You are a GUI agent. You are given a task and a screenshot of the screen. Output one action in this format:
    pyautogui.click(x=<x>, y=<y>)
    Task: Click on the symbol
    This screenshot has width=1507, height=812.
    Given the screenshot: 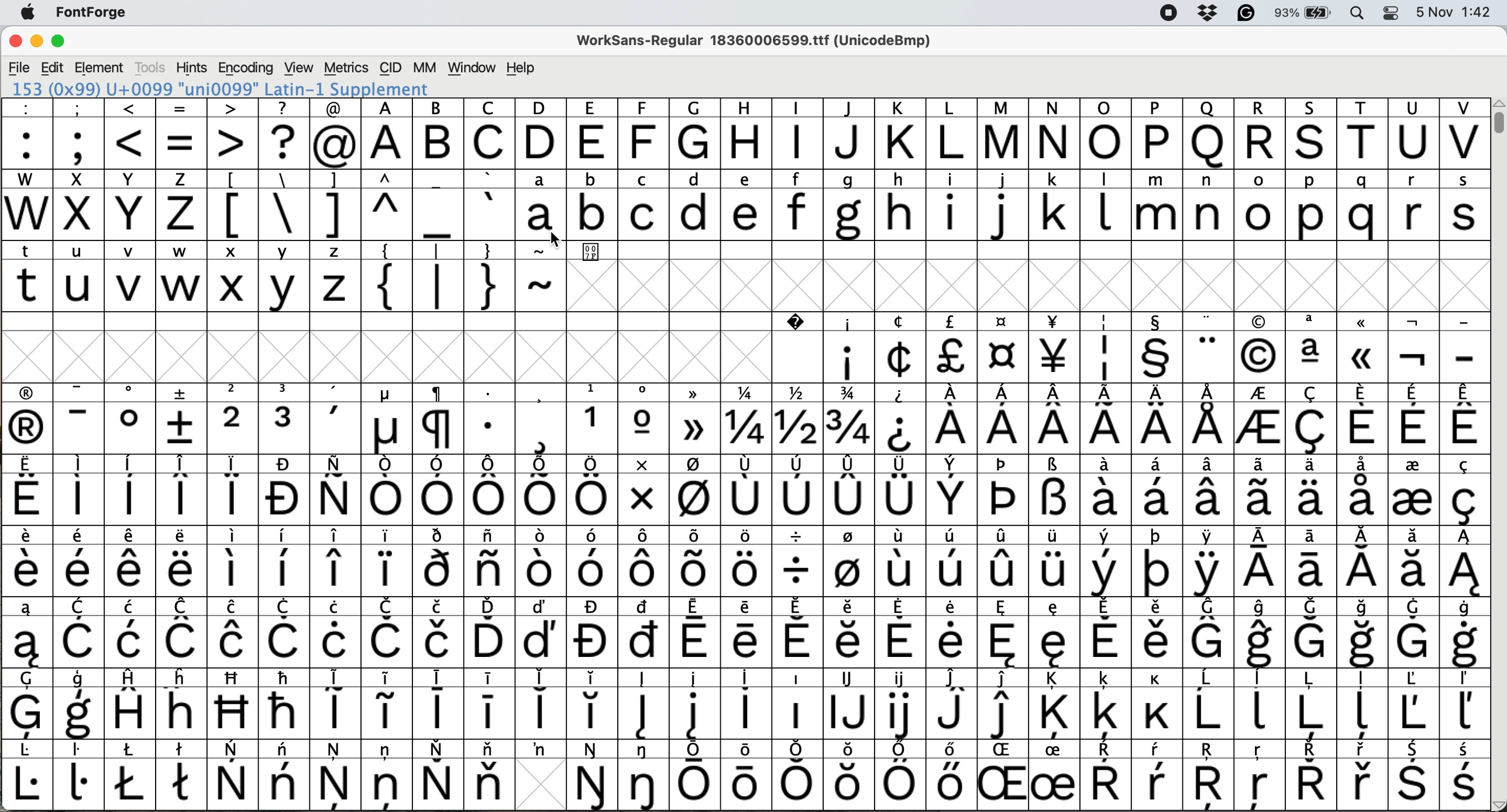 What is the action you would take?
    pyautogui.click(x=748, y=490)
    